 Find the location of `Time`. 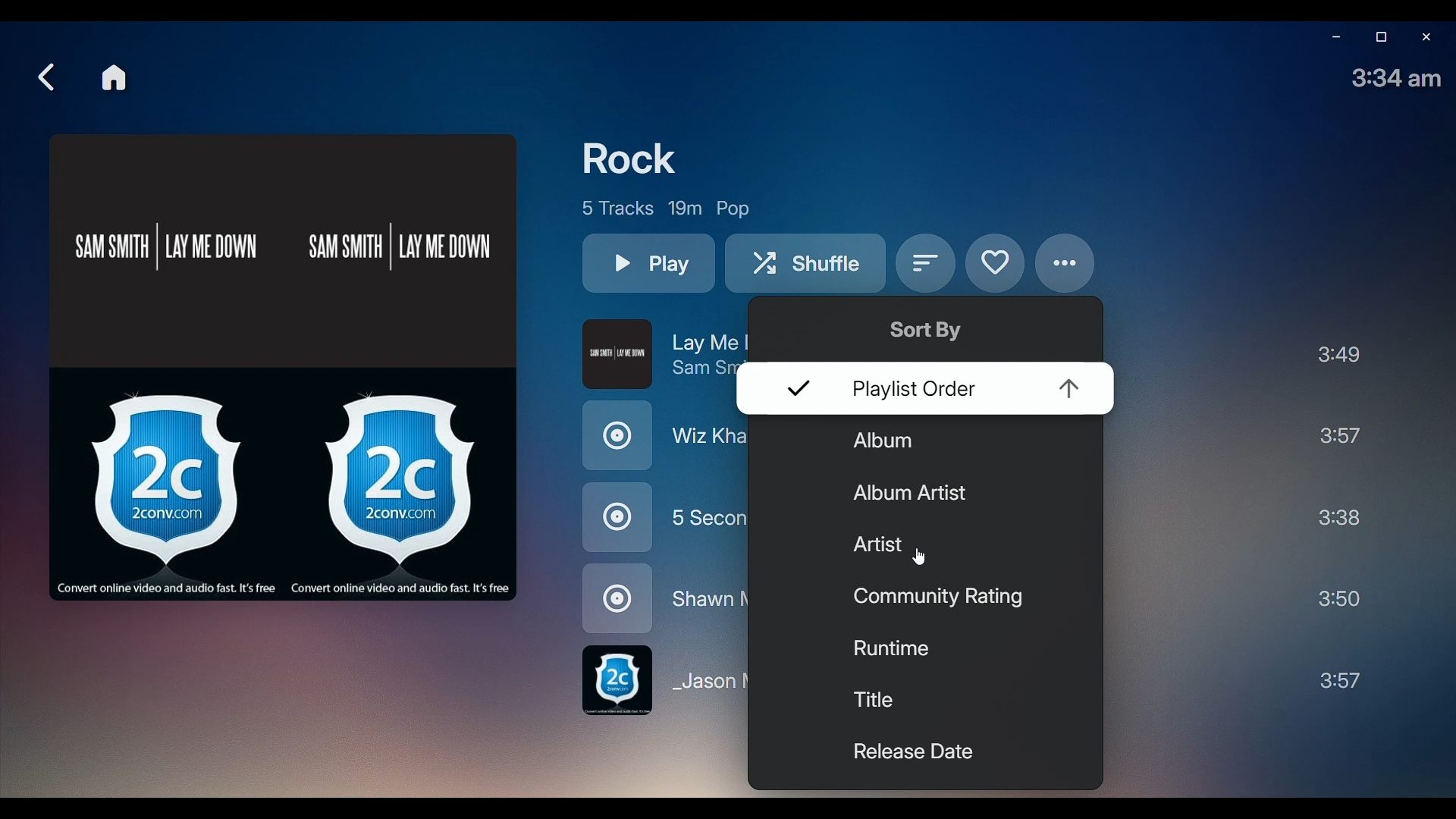

Time is located at coordinates (1342, 518).